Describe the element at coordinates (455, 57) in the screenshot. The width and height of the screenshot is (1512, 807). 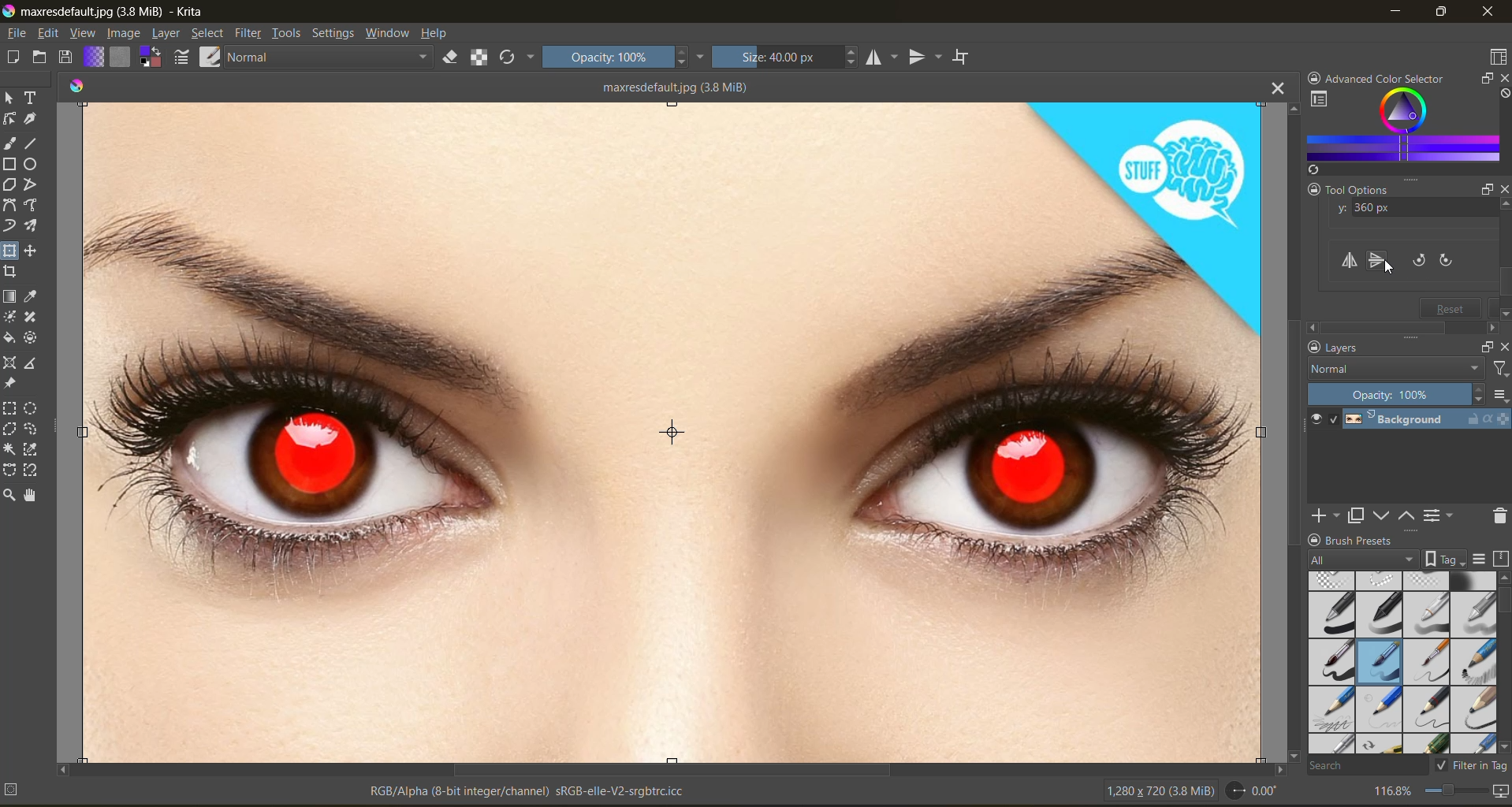
I see `set eraser mode` at that location.